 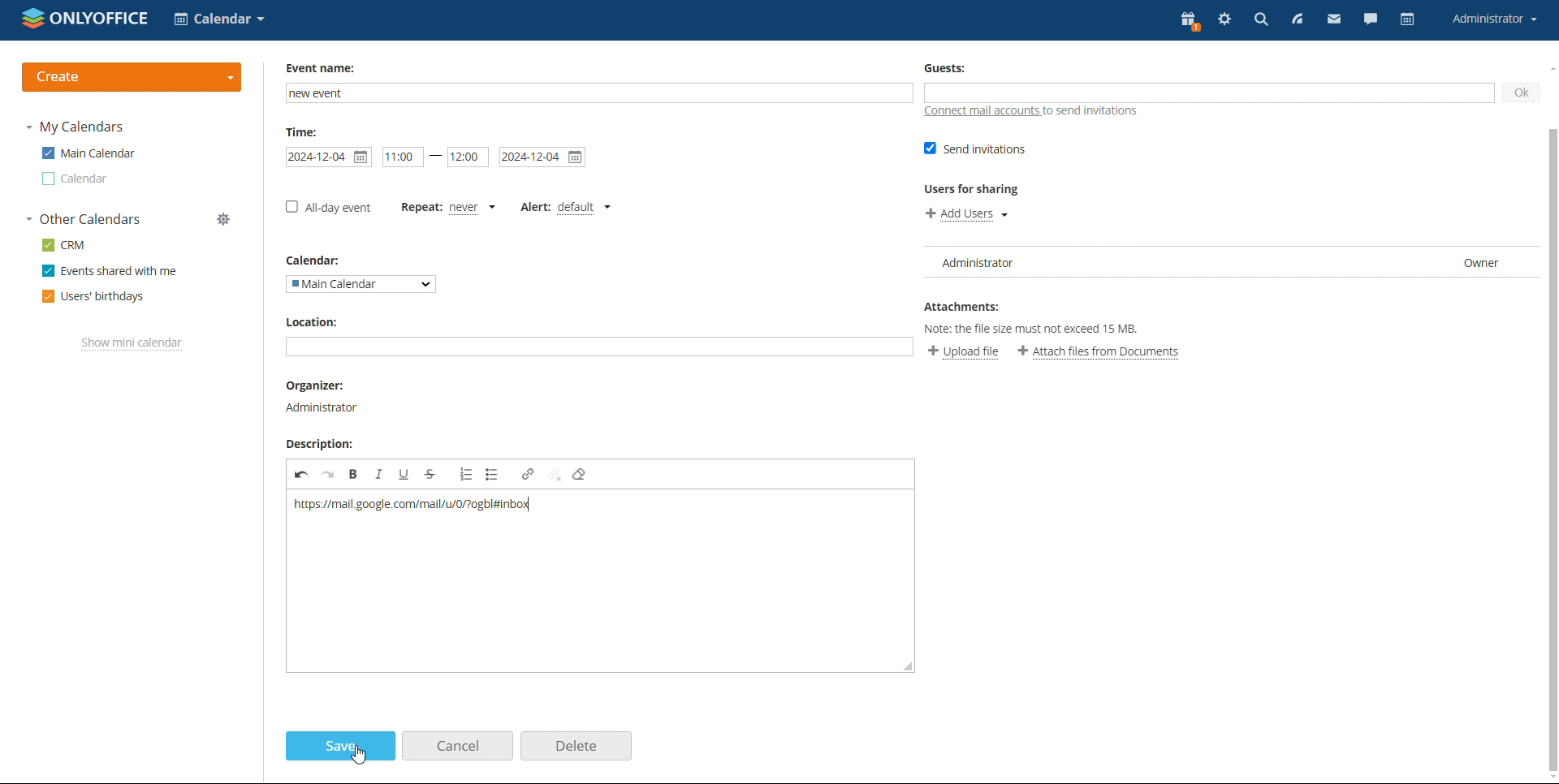 I want to click on scrollbar, so click(x=1561, y=400).